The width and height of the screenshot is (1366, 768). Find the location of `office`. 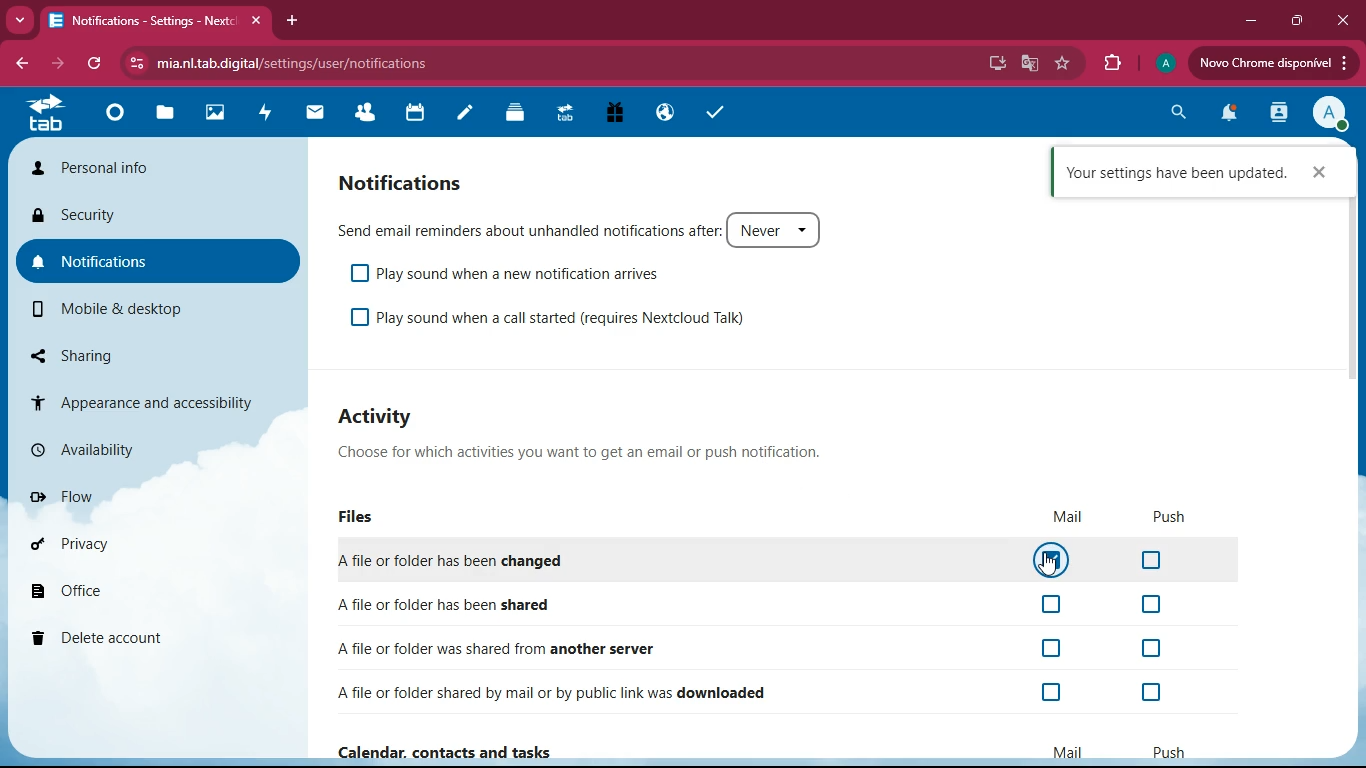

office is located at coordinates (119, 590).